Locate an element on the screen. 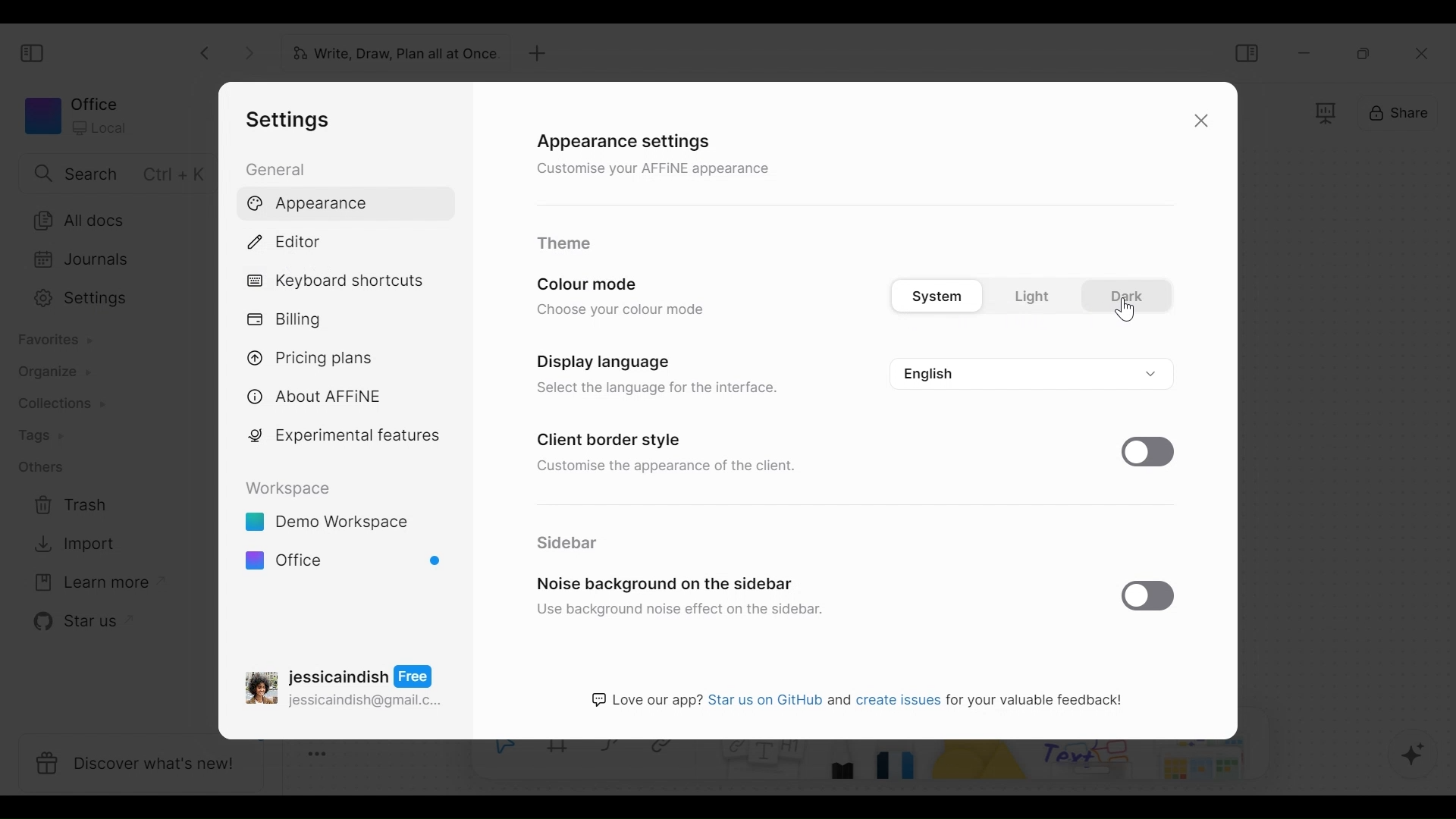  Journal is located at coordinates (77, 260).